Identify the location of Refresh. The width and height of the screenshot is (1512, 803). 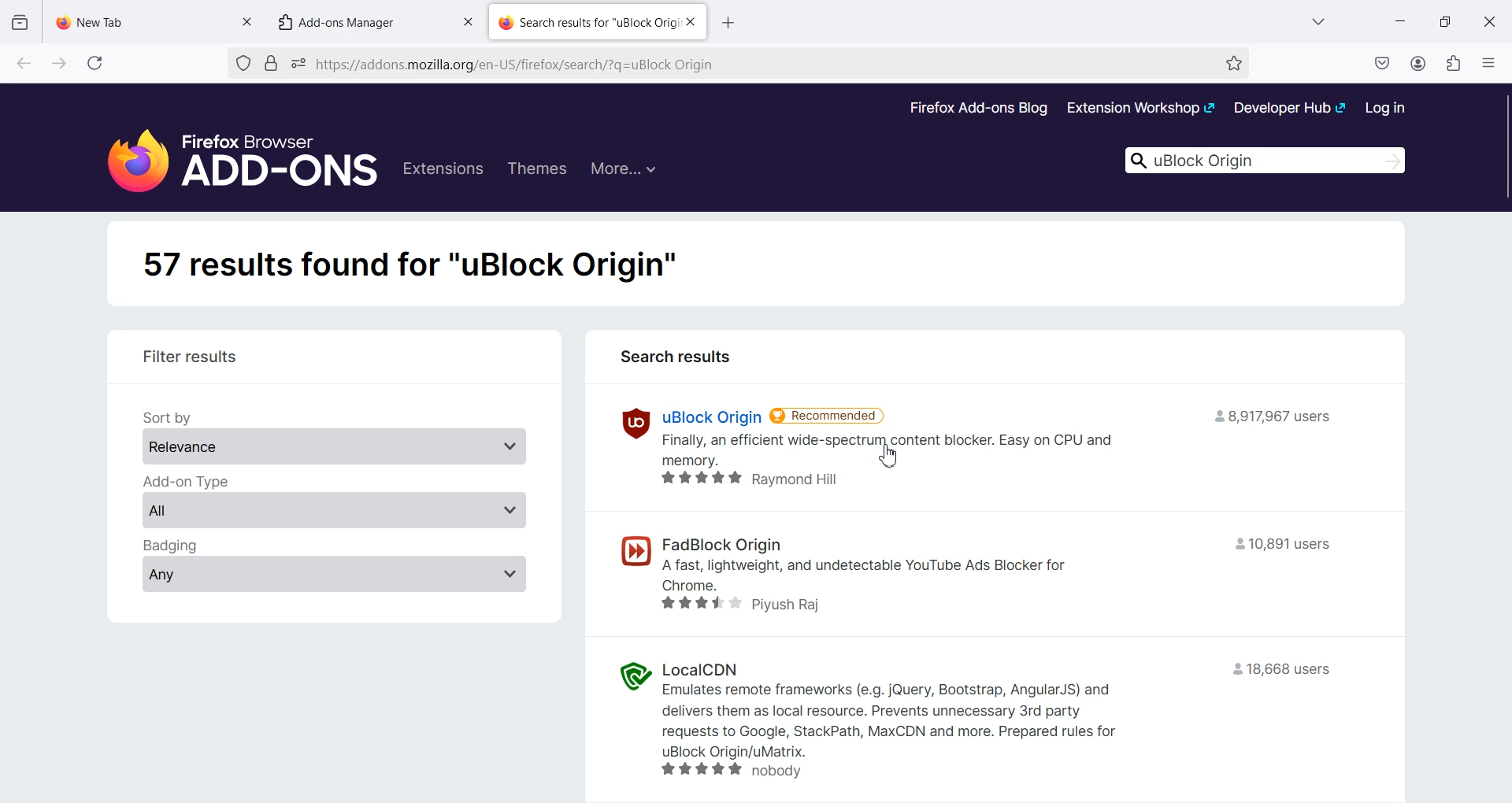
(95, 63).